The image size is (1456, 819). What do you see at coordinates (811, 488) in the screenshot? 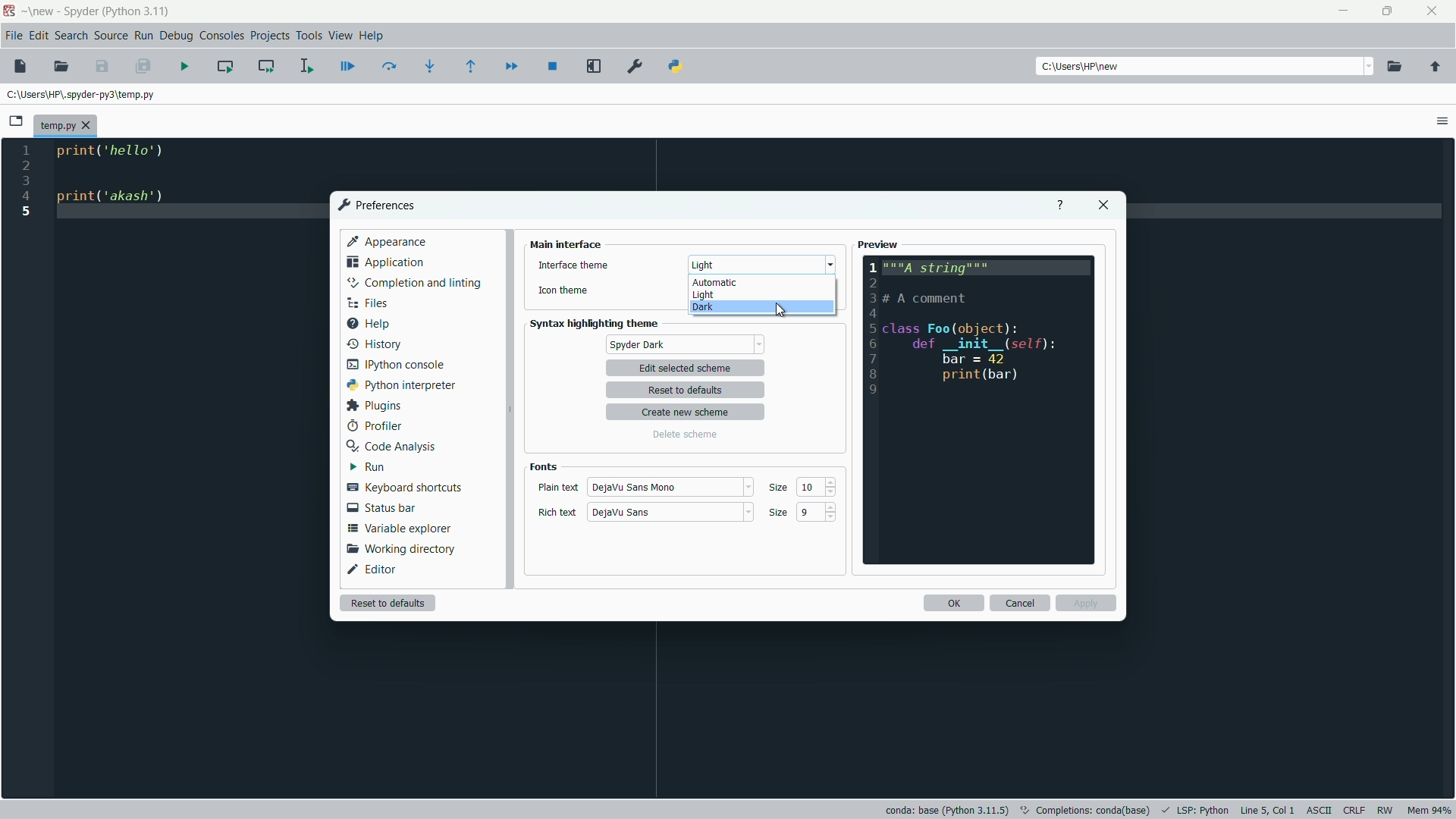
I see `10` at bounding box center [811, 488].